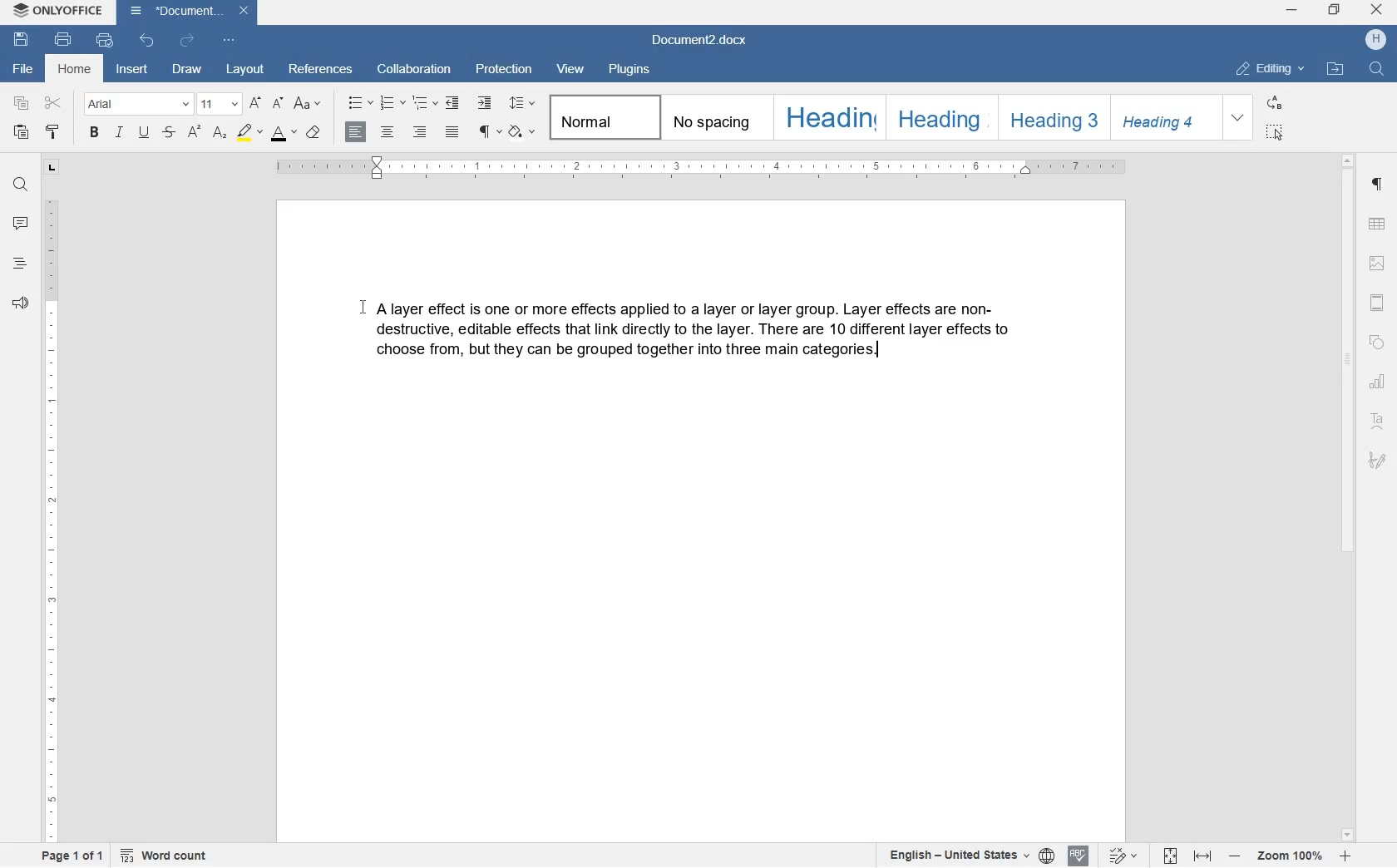 Image resolution: width=1397 pixels, height=868 pixels. Describe the element at coordinates (147, 40) in the screenshot. I see `undo` at that location.